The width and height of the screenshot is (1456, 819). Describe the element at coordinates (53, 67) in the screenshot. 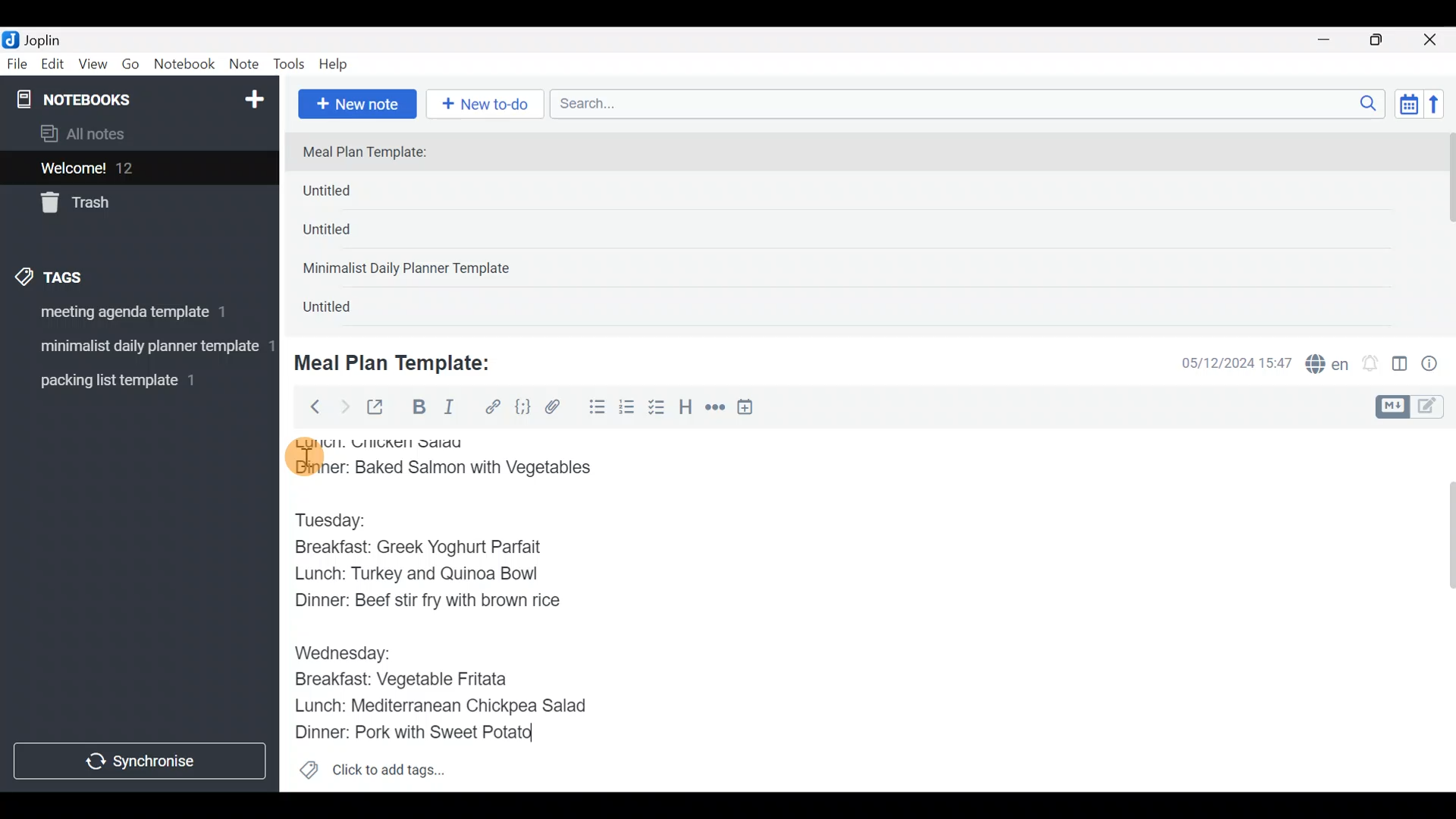

I see `Edit` at that location.